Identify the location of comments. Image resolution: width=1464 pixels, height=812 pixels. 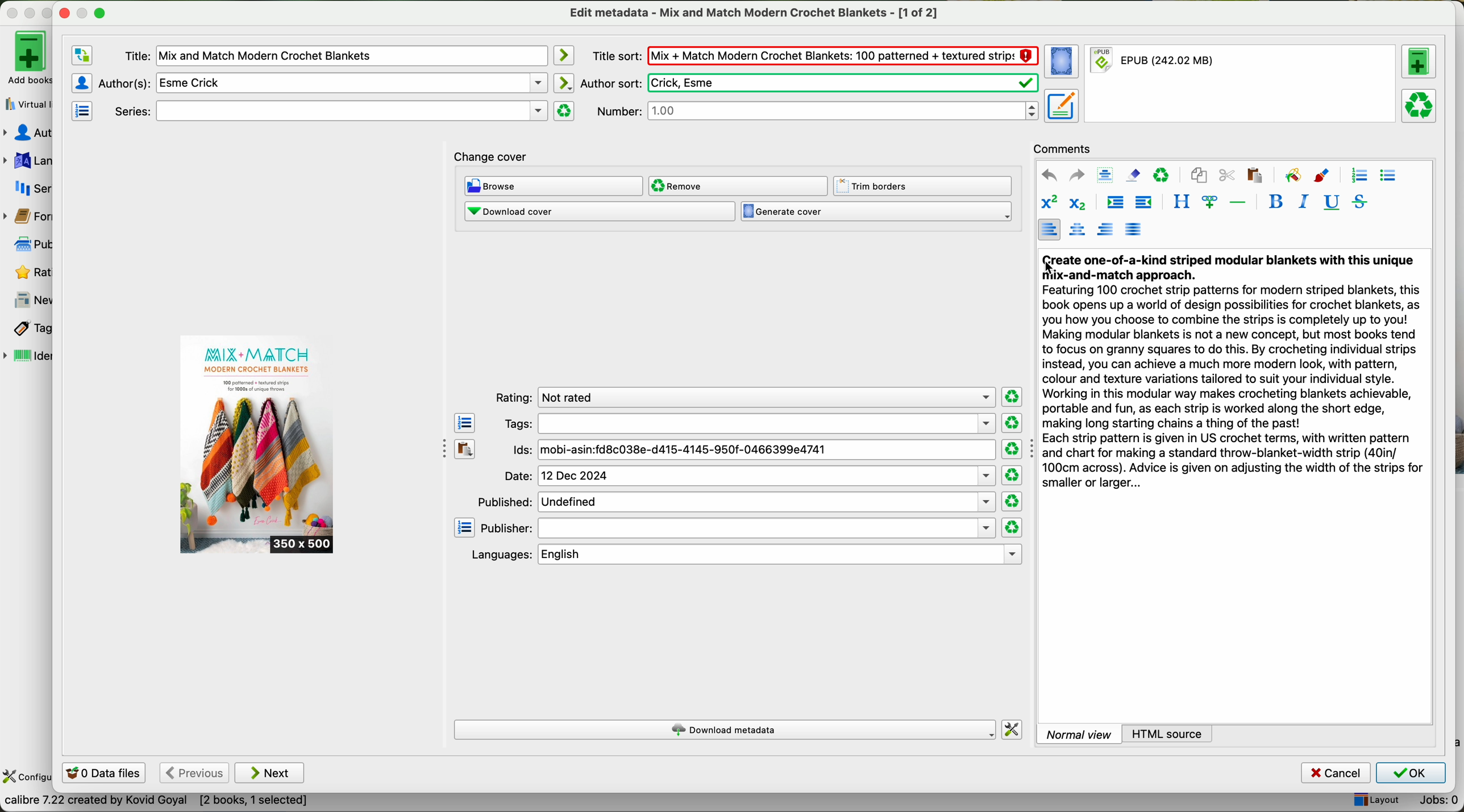
(1066, 147).